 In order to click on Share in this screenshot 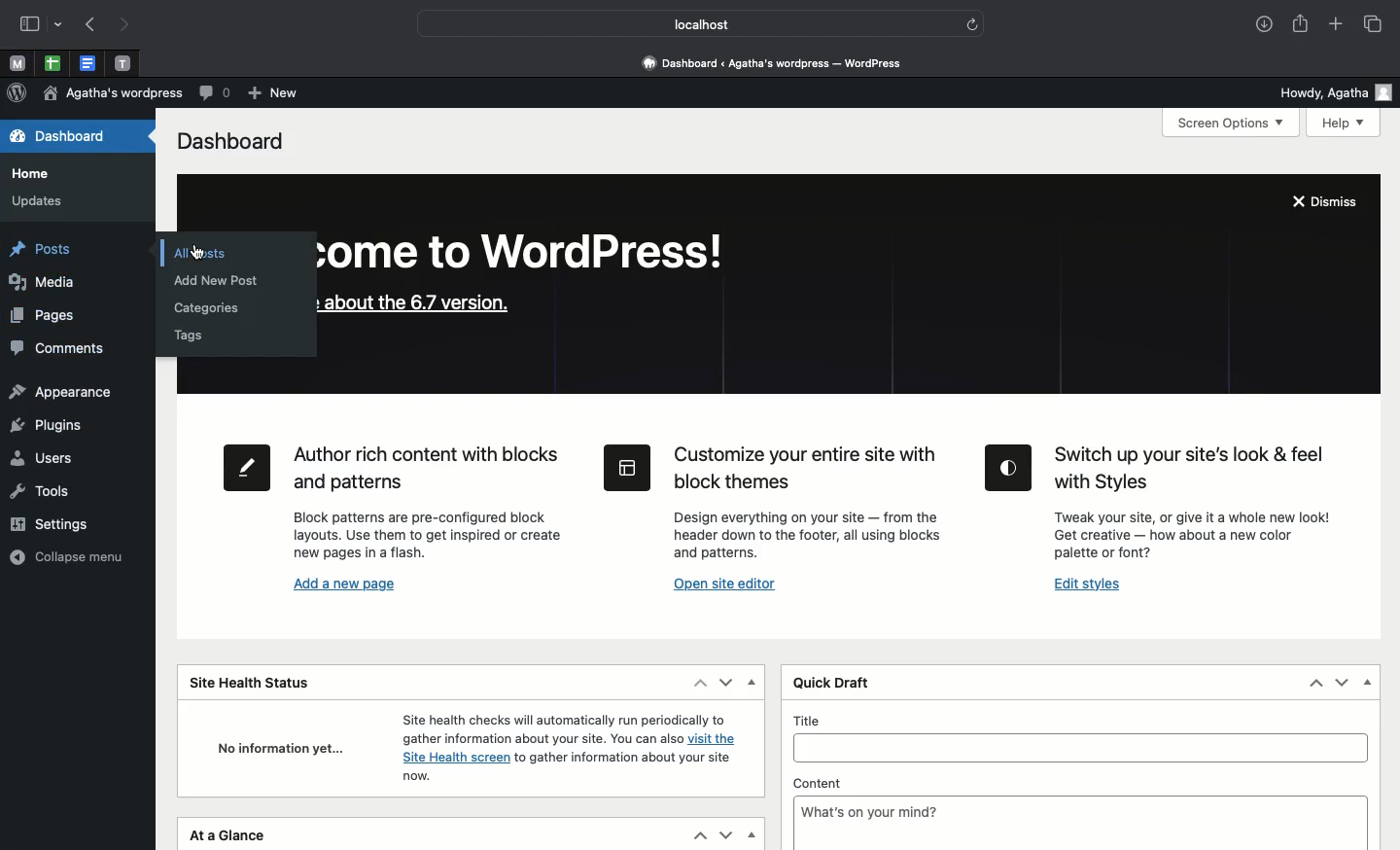, I will do `click(1300, 25)`.